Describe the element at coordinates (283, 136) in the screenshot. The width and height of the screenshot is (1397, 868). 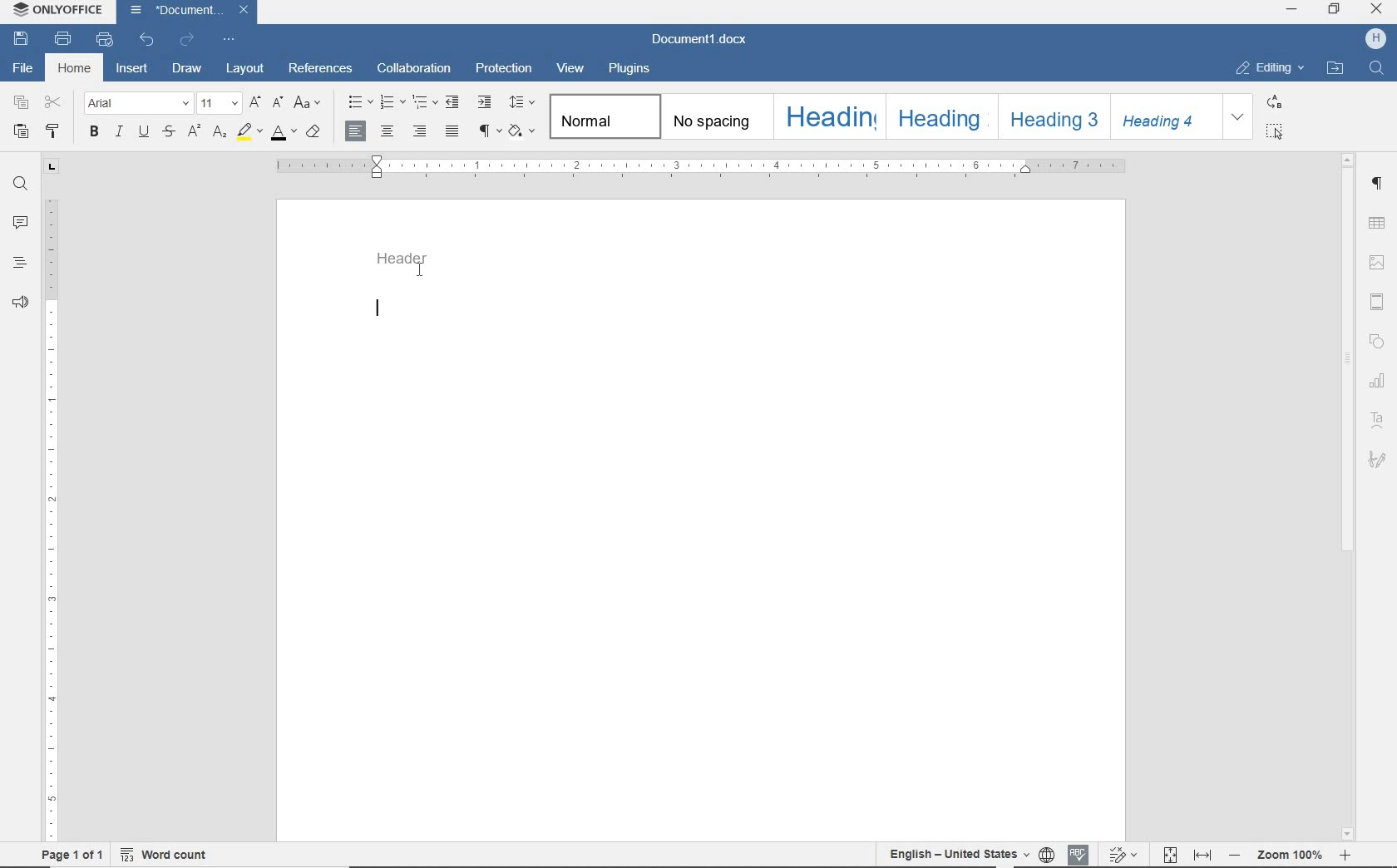
I see `font color` at that location.